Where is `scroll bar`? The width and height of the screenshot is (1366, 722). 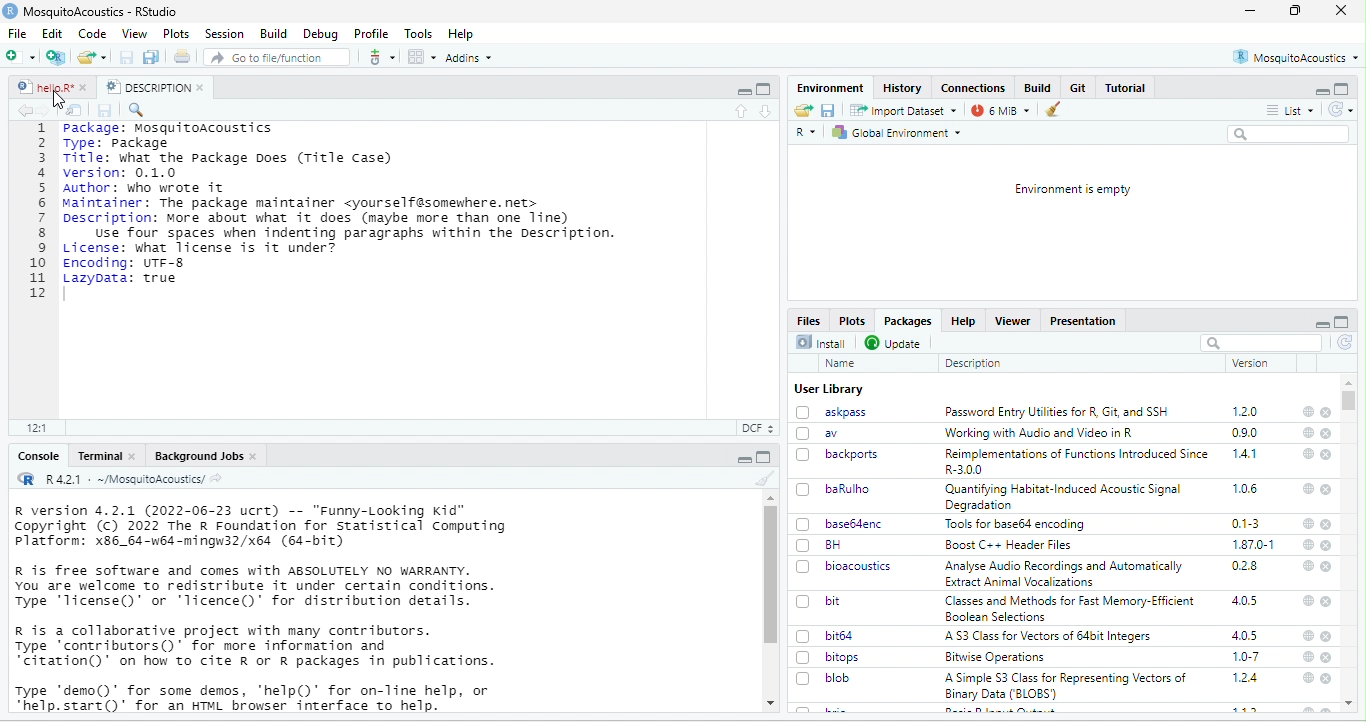 scroll bar is located at coordinates (1353, 402).